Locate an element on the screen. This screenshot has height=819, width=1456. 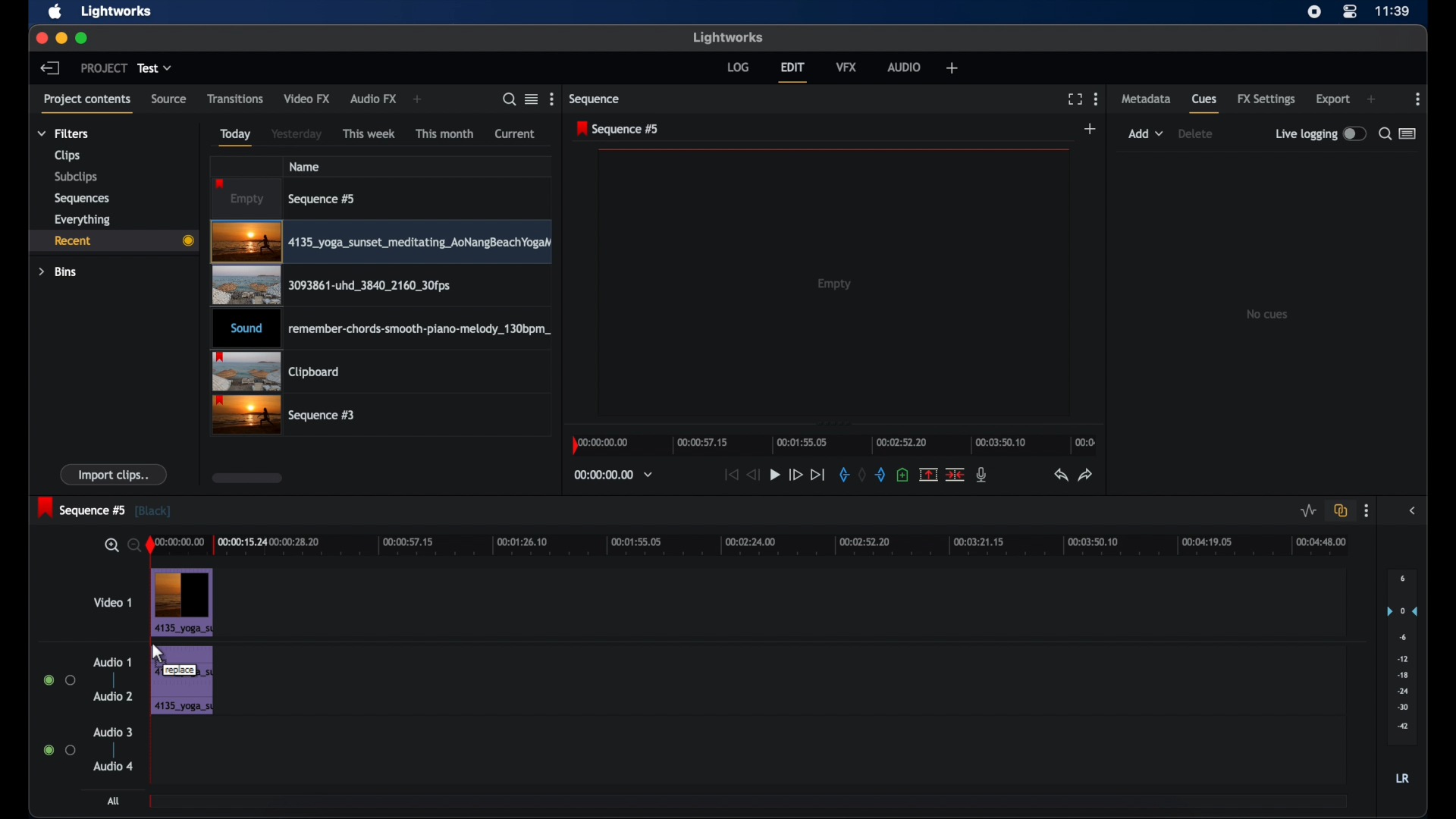
LR is located at coordinates (1402, 778).